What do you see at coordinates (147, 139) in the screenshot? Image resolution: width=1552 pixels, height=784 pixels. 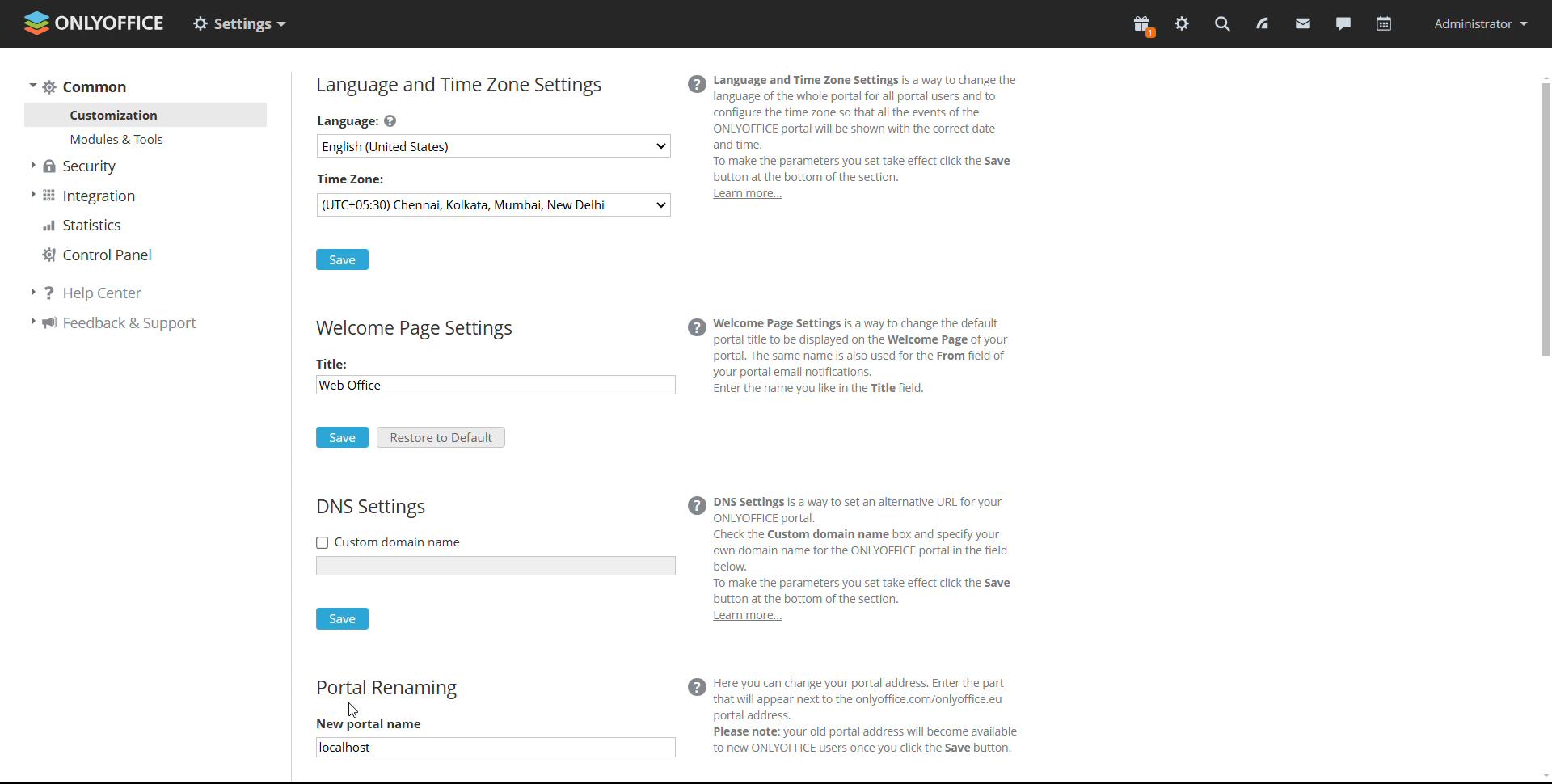 I see `modules and tools` at bounding box center [147, 139].